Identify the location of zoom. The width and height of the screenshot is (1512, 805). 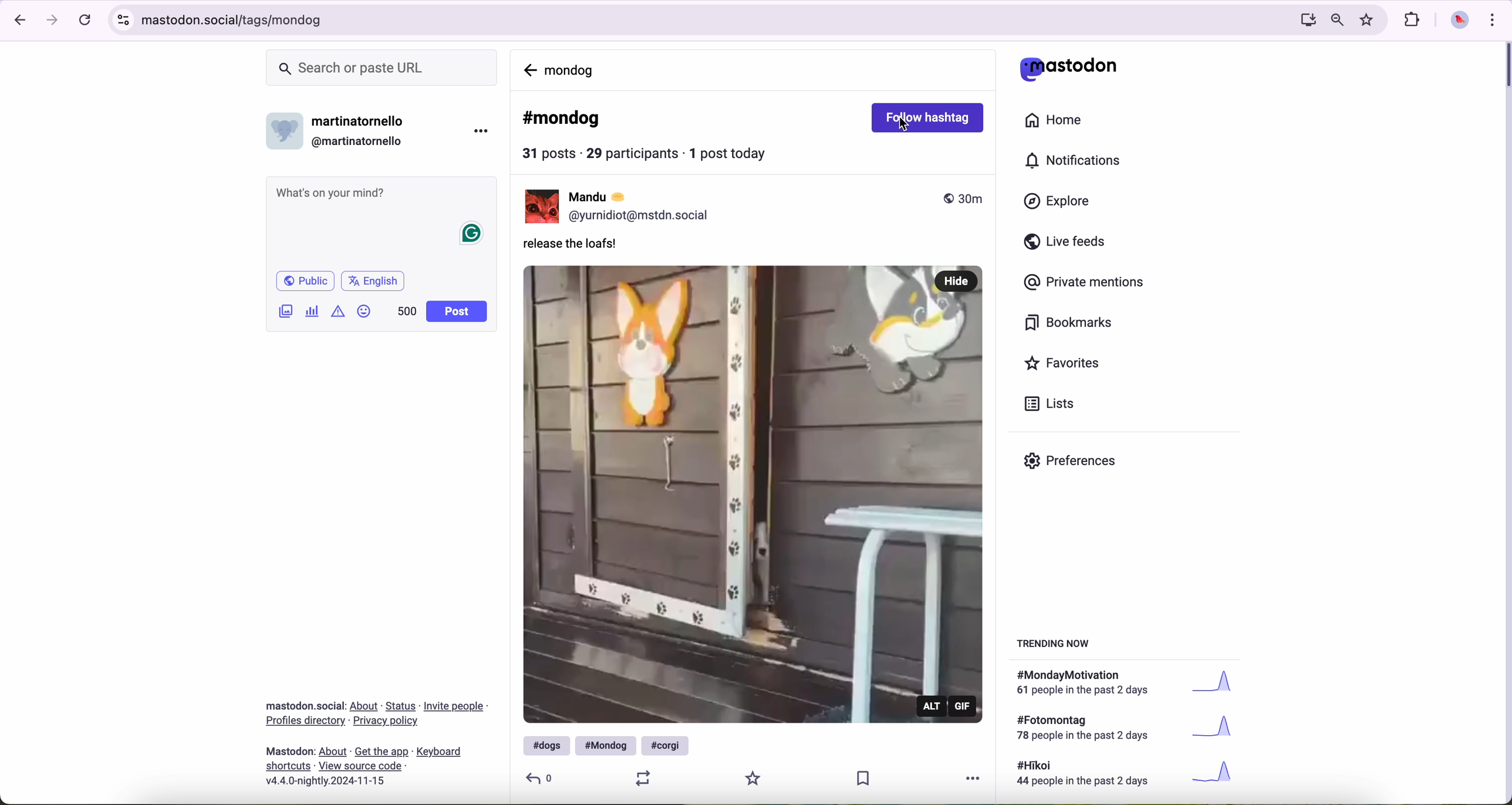
(1337, 21).